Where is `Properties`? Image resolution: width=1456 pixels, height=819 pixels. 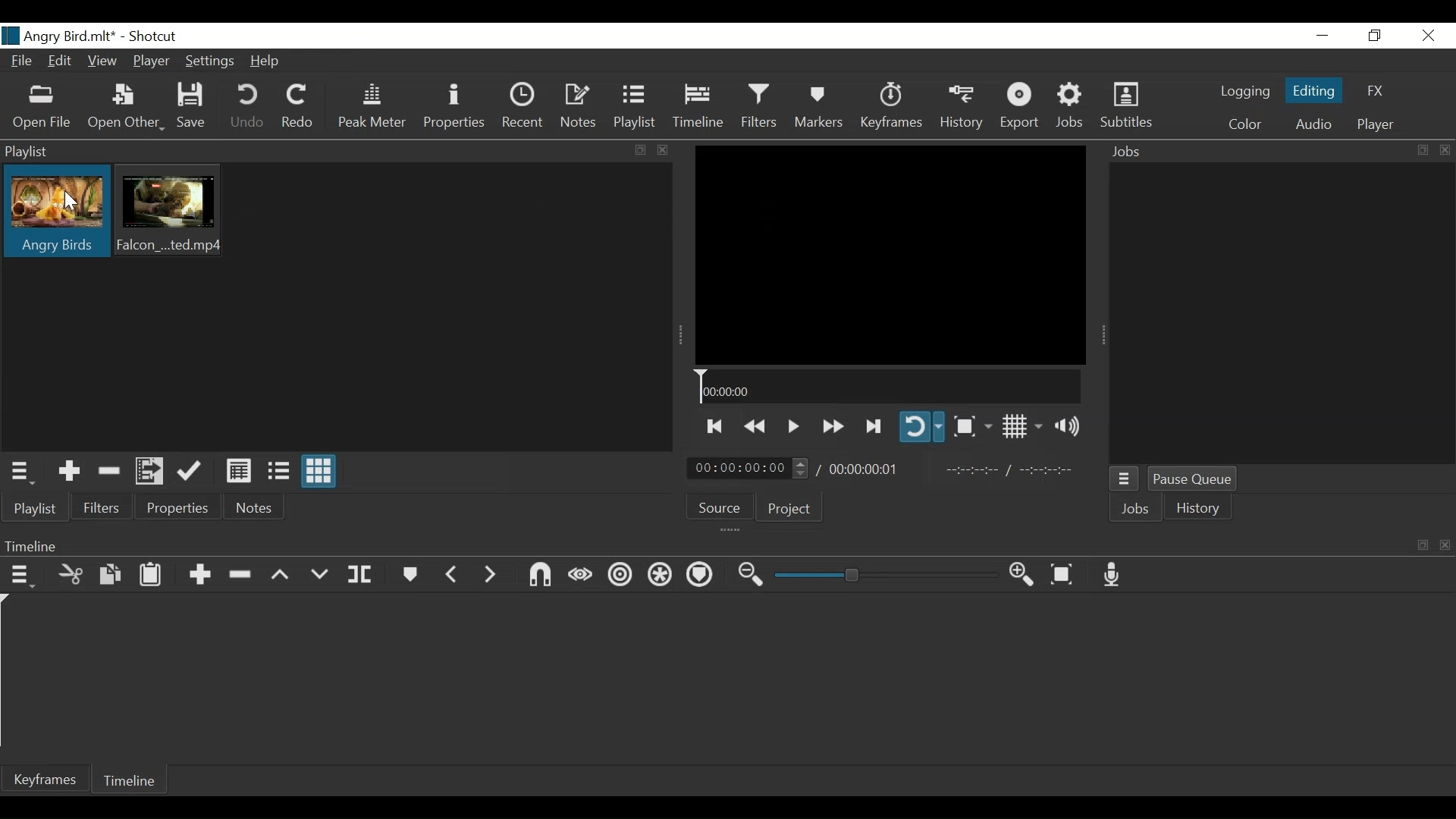 Properties is located at coordinates (180, 509).